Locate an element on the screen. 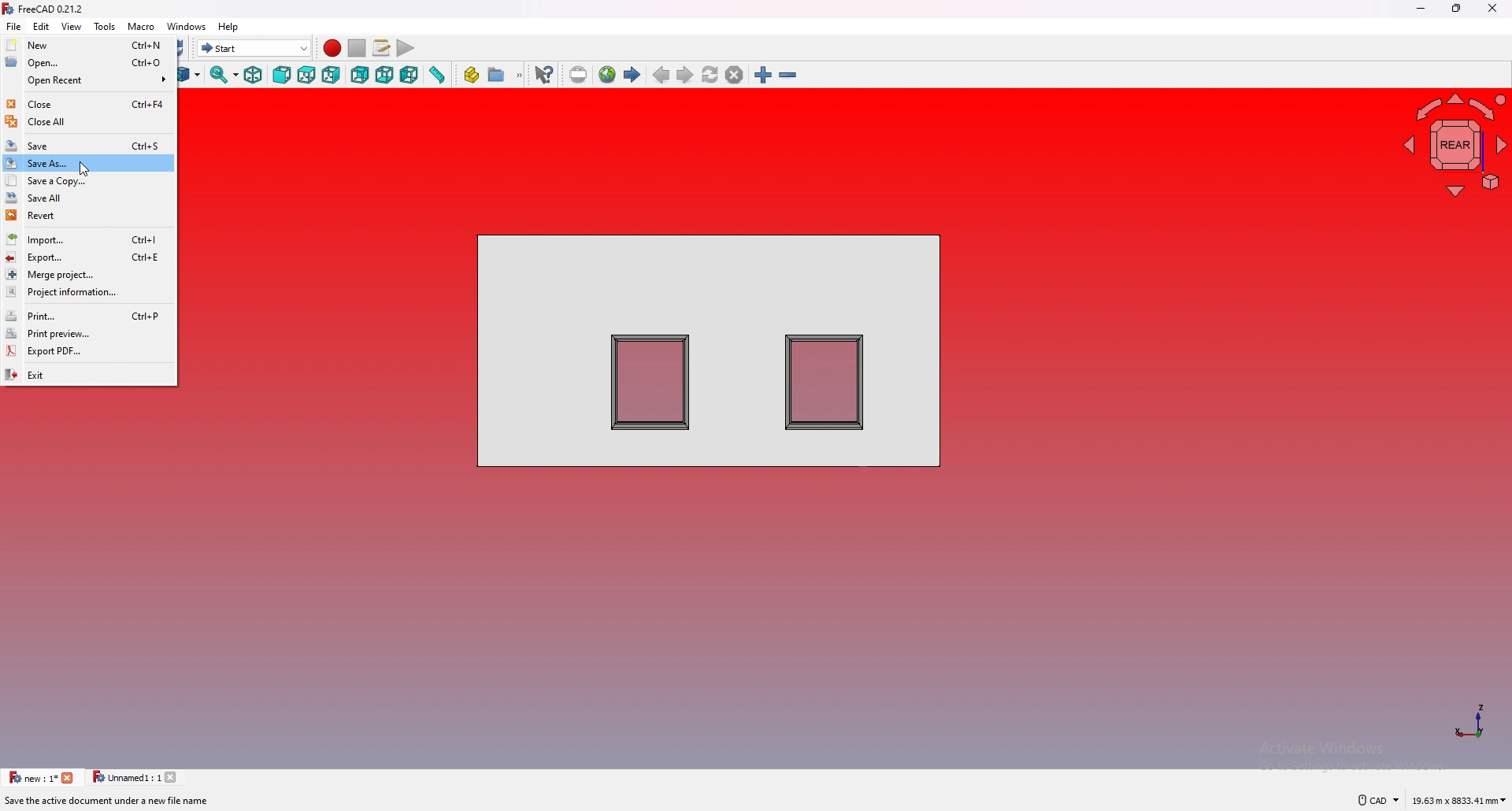  project info is located at coordinates (87, 292).